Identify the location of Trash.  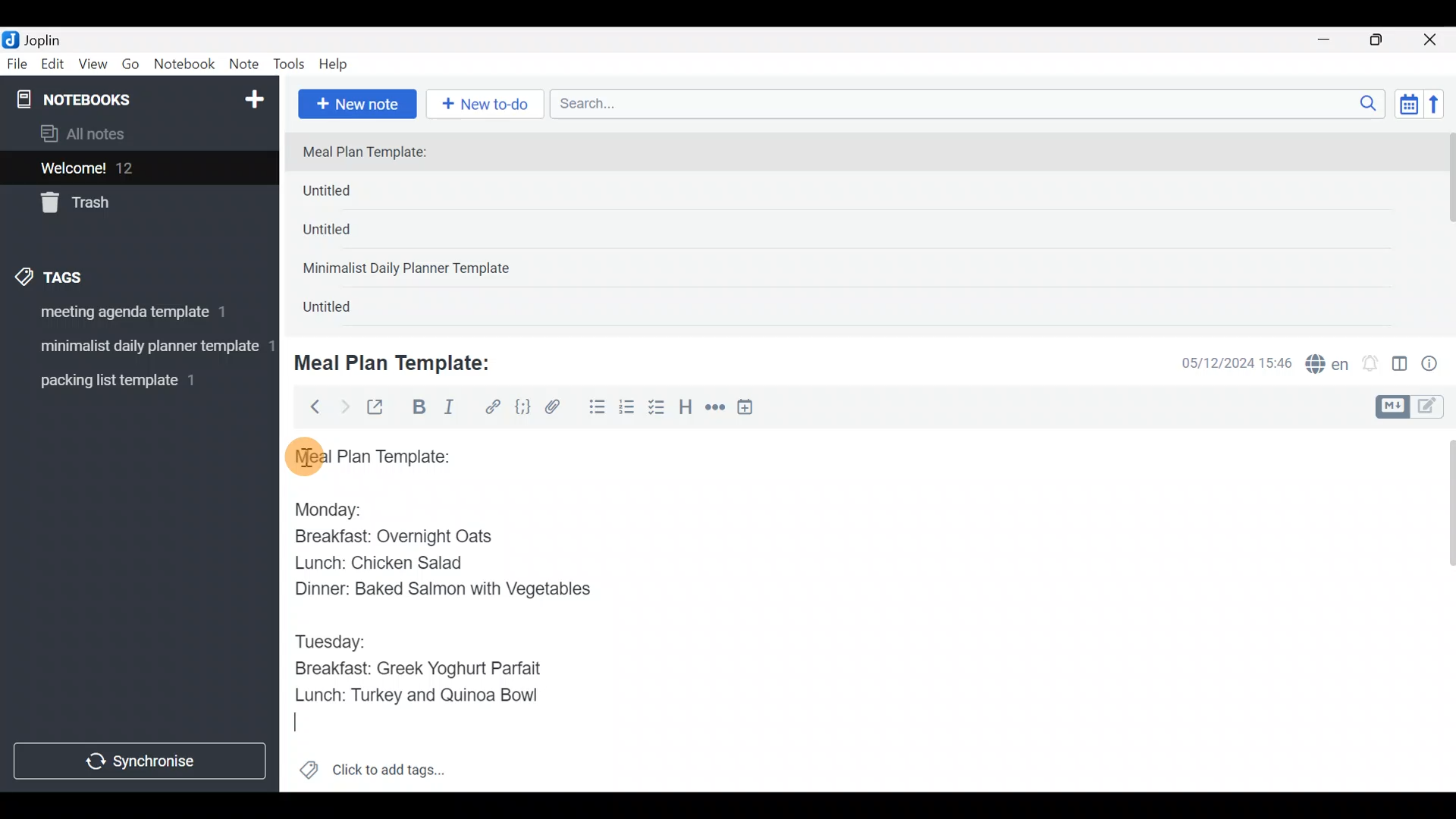
(130, 204).